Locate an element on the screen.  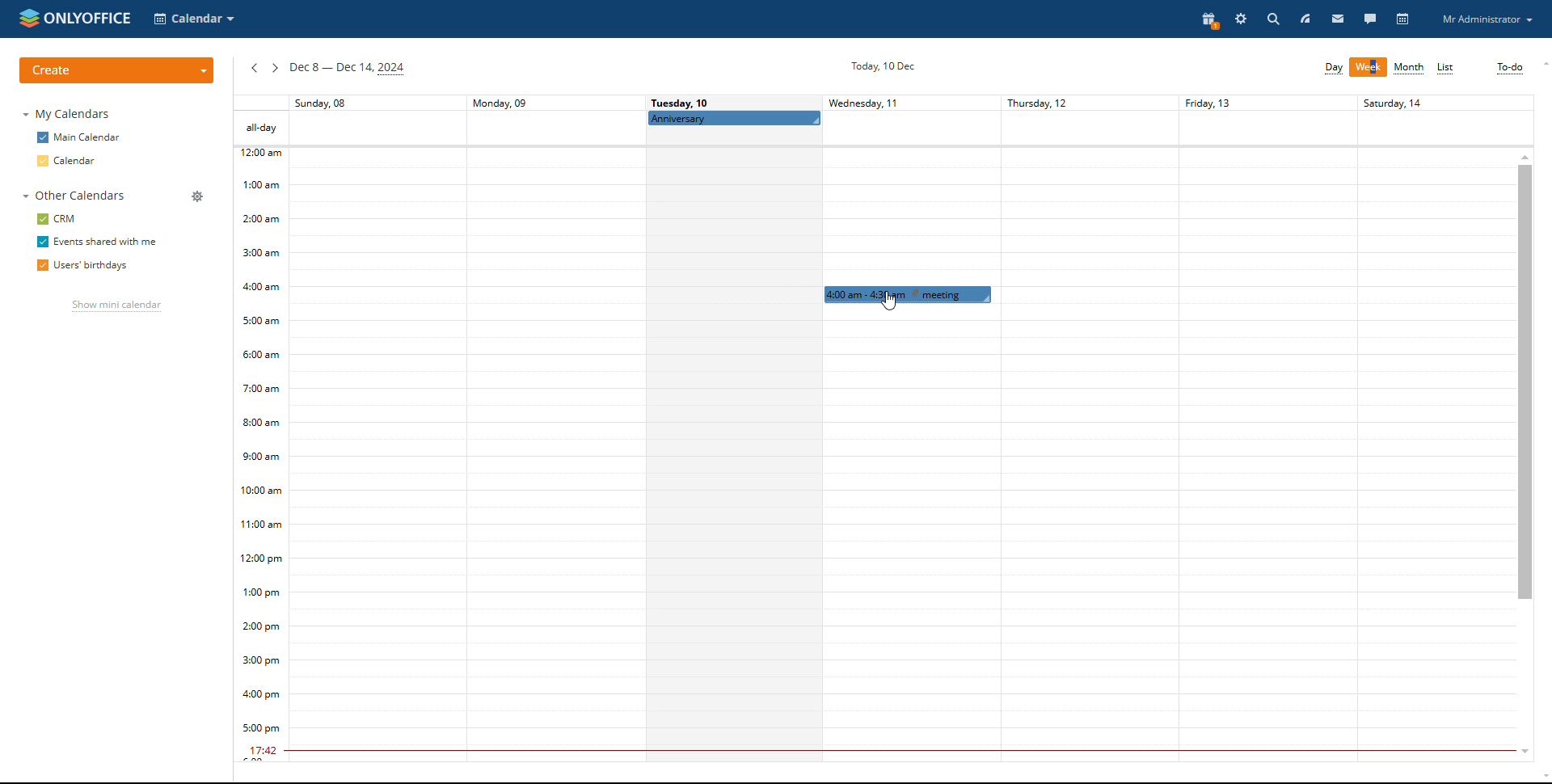
day view is located at coordinates (1334, 69).